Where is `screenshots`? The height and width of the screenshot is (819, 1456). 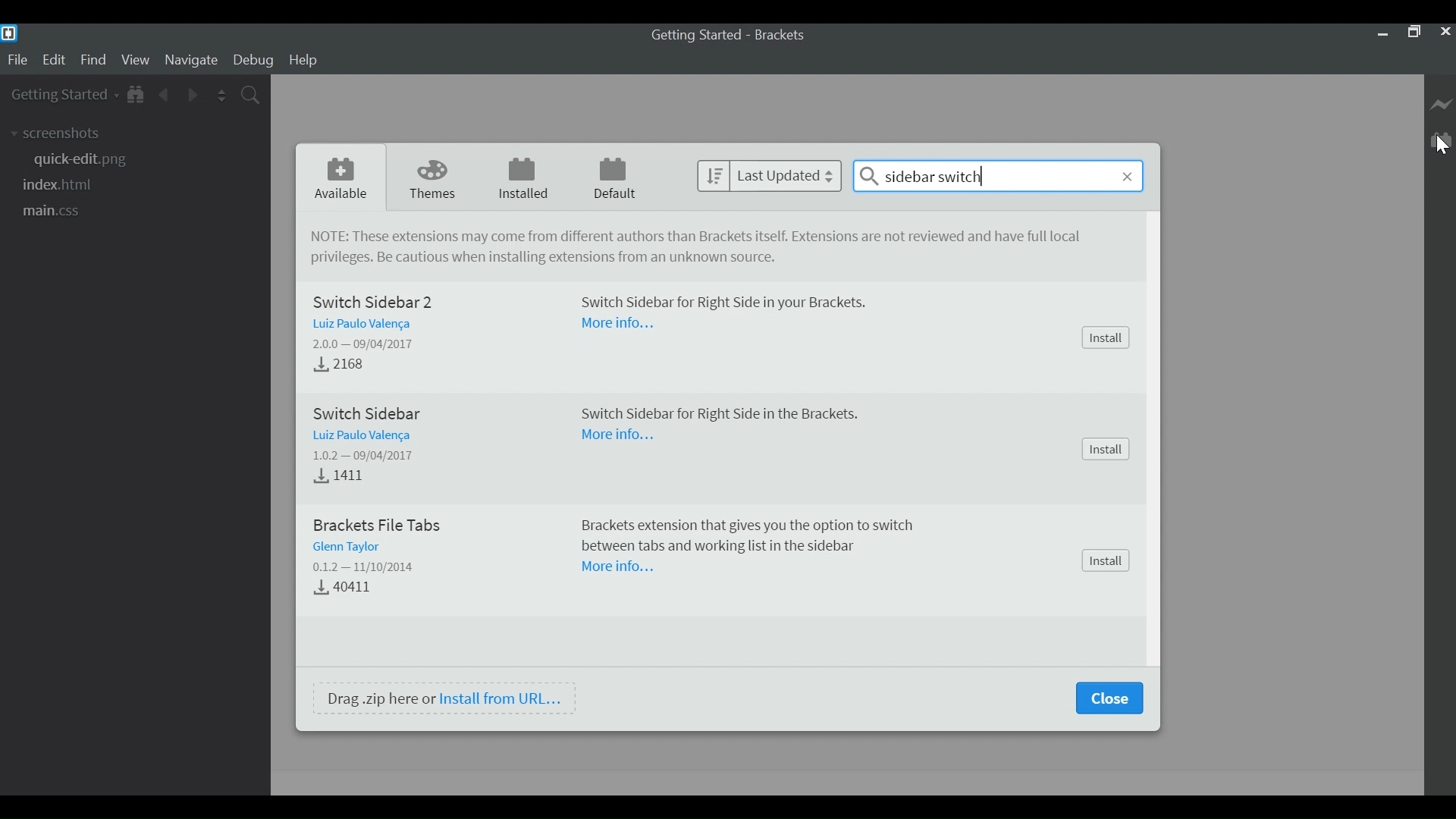 screenshots is located at coordinates (56, 133).